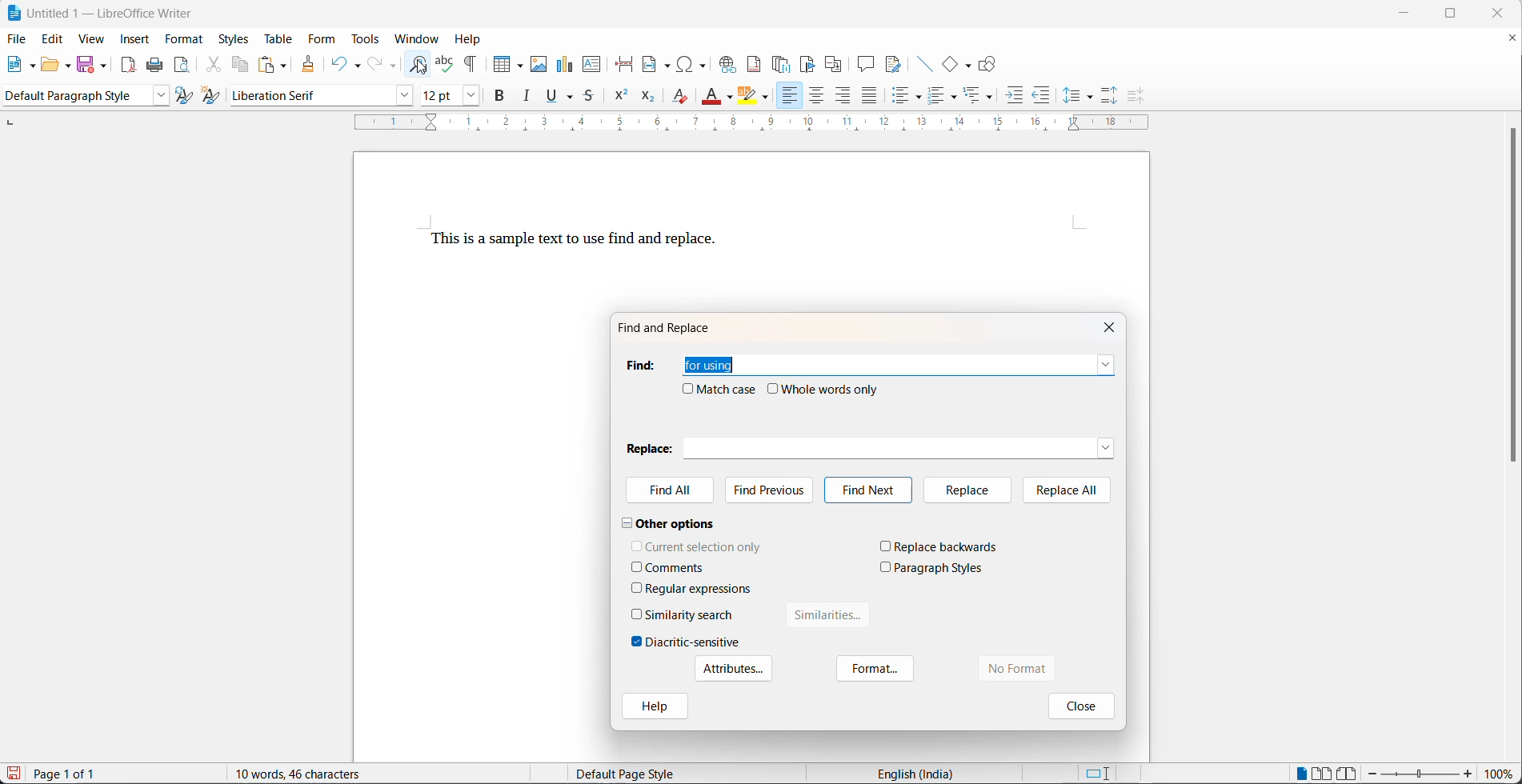 This screenshot has height=784, width=1522. What do you see at coordinates (886, 546) in the screenshot?
I see `checkbox` at bounding box center [886, 546].